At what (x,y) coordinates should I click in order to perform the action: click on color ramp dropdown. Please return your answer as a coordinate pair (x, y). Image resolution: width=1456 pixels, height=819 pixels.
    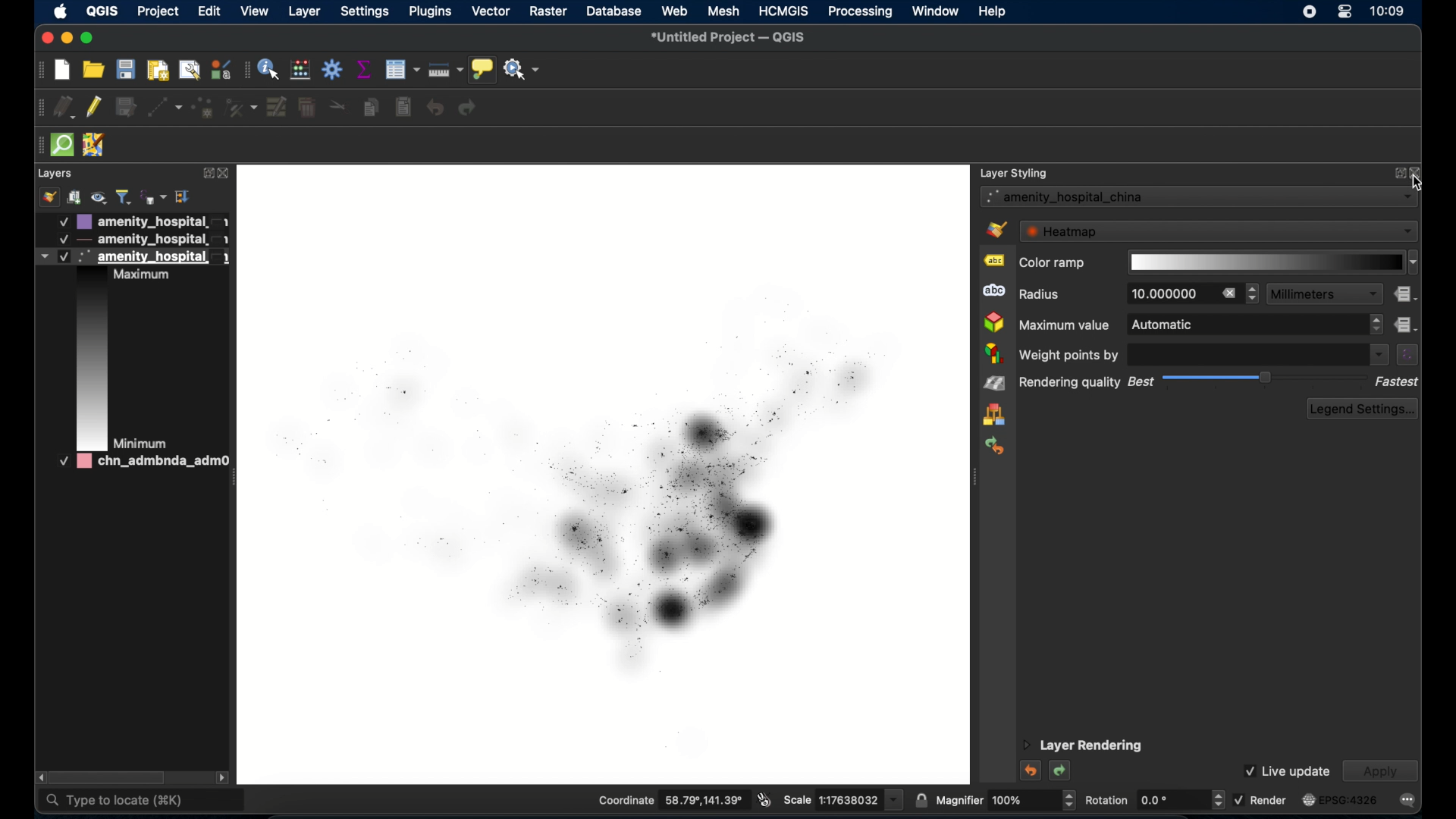
    Looking at the image, I should click on (1272, 262).